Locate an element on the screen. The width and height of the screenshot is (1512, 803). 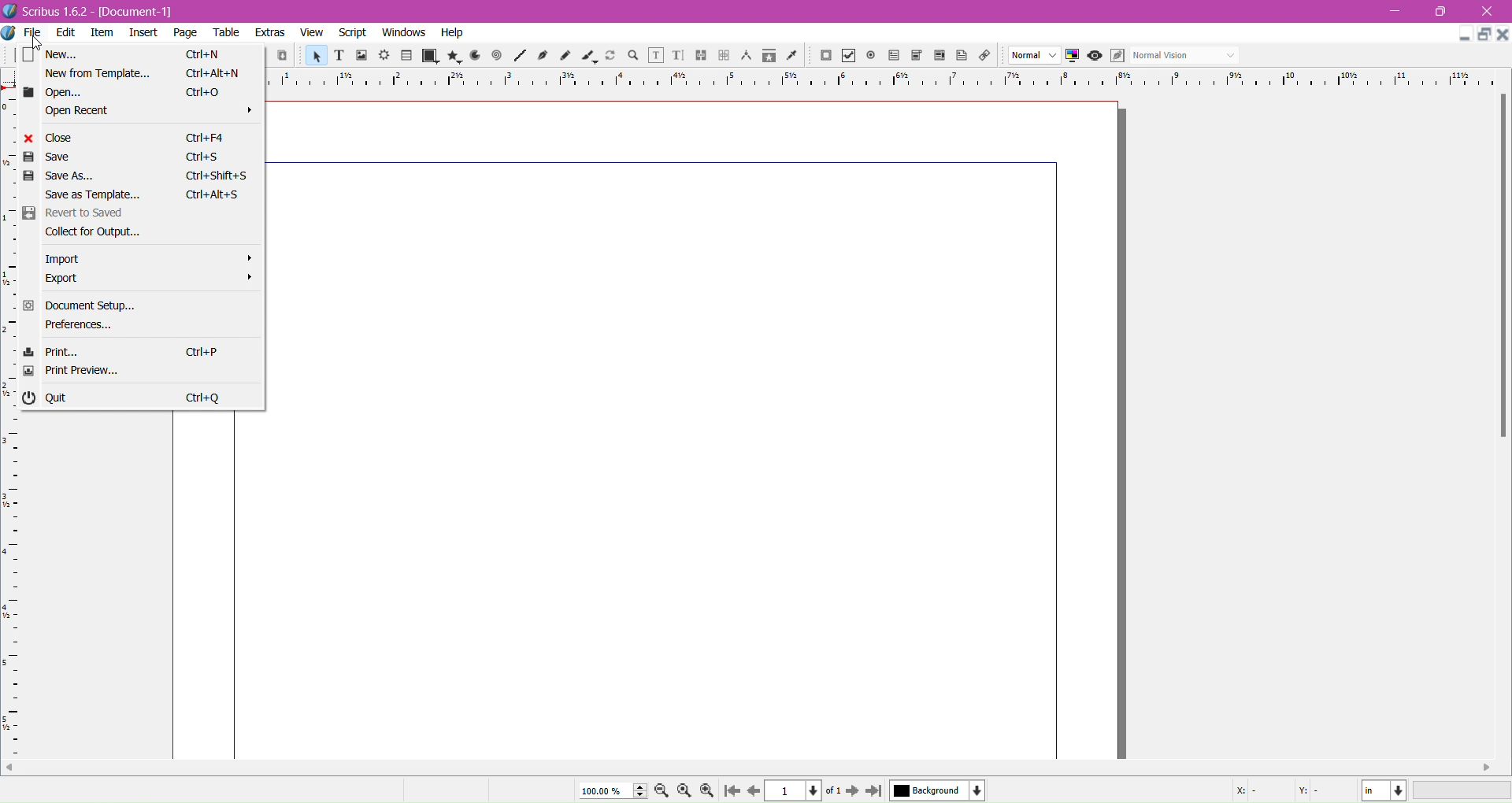
Line is located at coordinates (520, 57).